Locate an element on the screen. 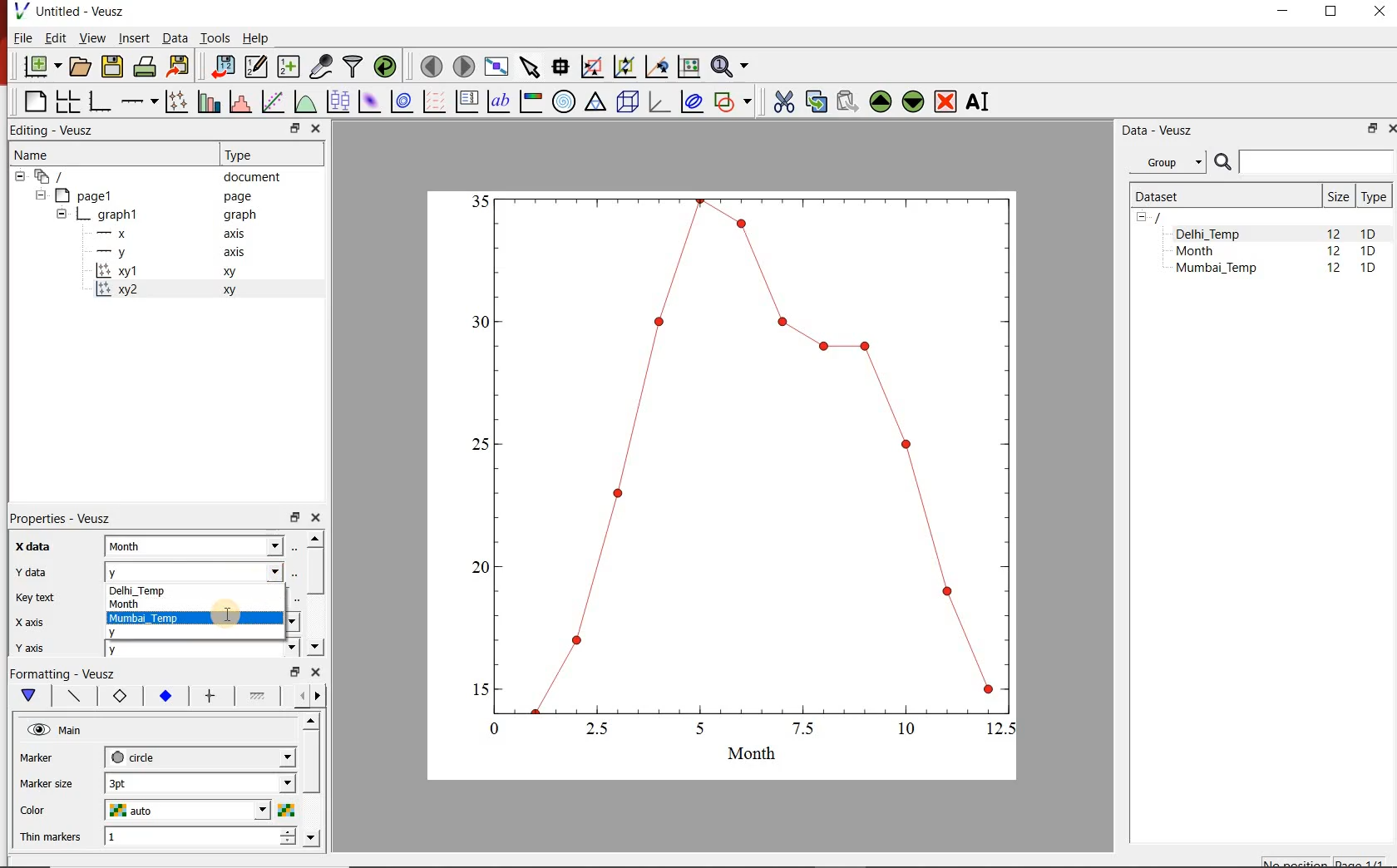 This screenshot has width=1397, height=868. edit and enter new datasets is located at coordinates (255, 67).